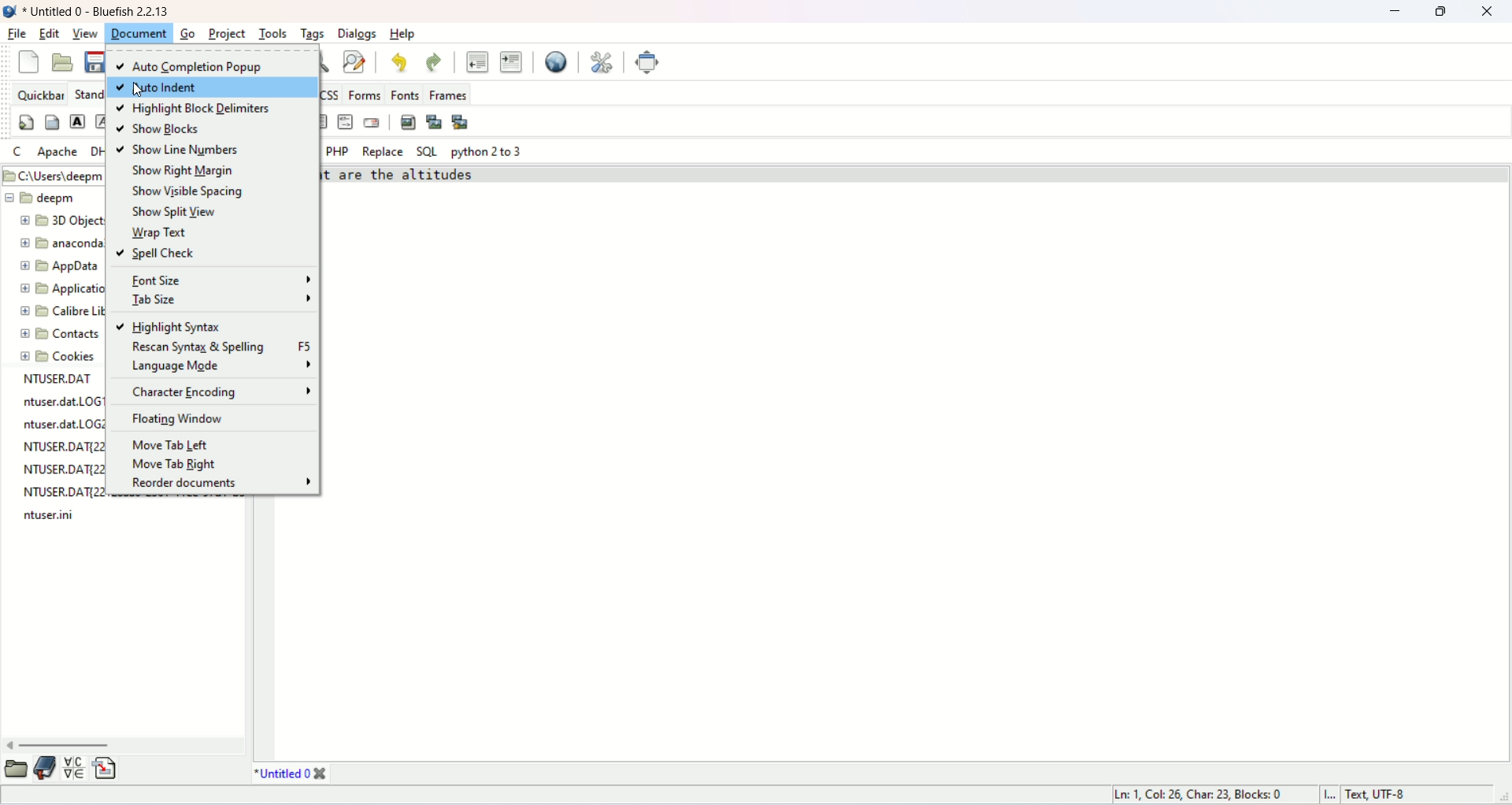 The width and height of the screenshot is (1512, 805). What do you see at coordinates (381, 152) in the screenshot?
I see `replace` at bounding box center [381, 152].